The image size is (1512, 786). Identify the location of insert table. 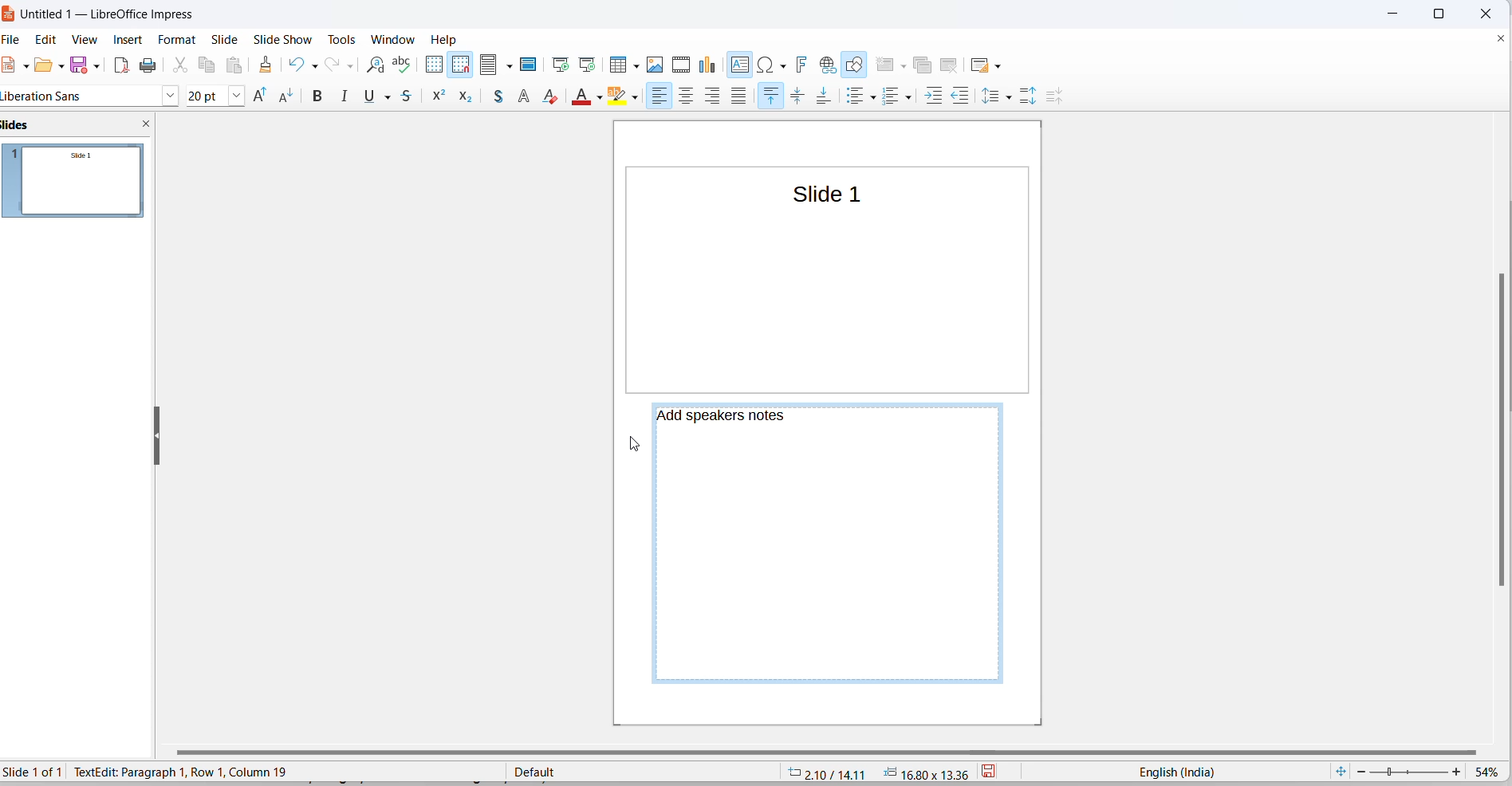
(617, 65).